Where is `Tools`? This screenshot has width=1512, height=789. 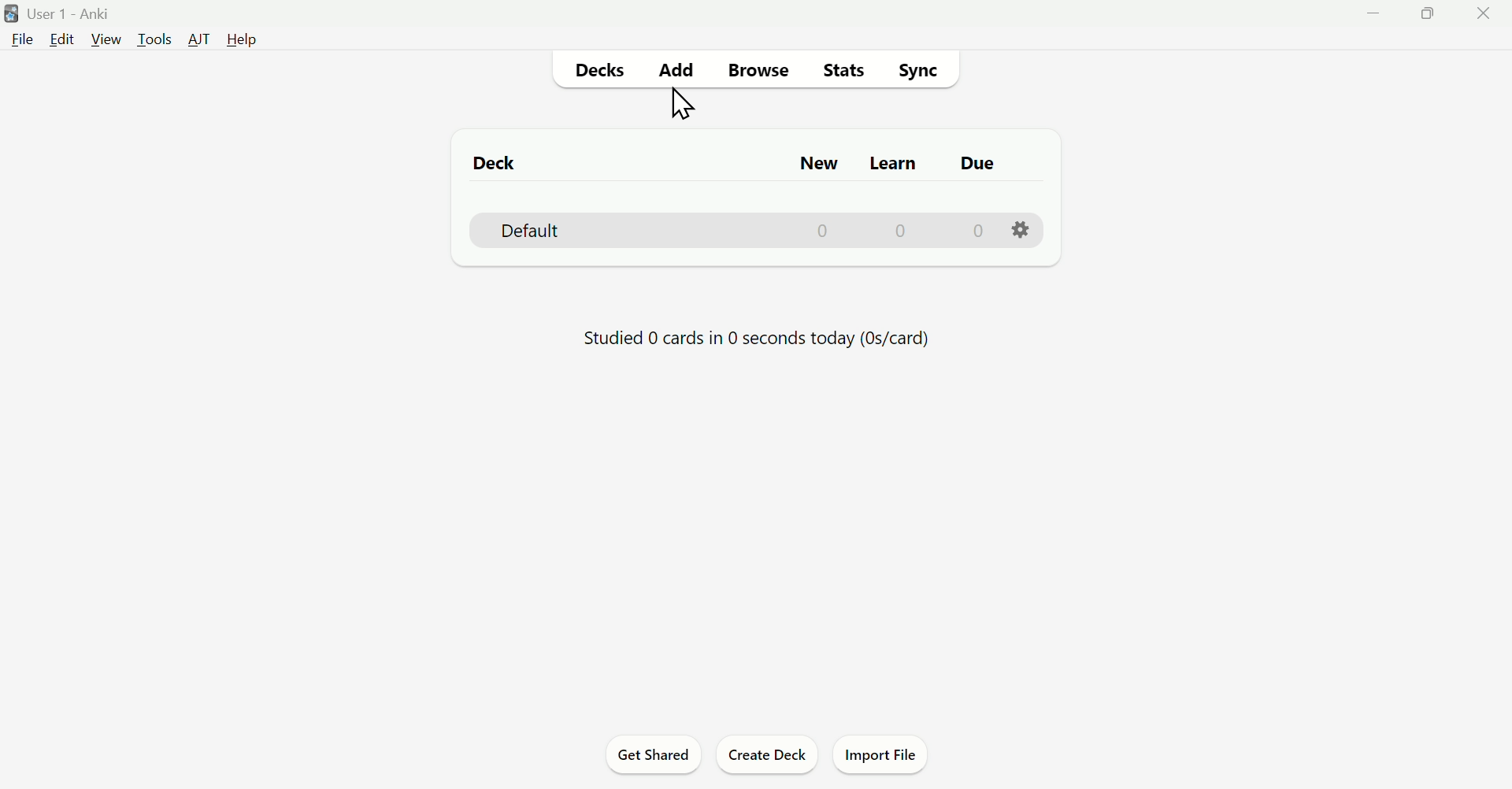 Tools is located at coordinates (153, 39).